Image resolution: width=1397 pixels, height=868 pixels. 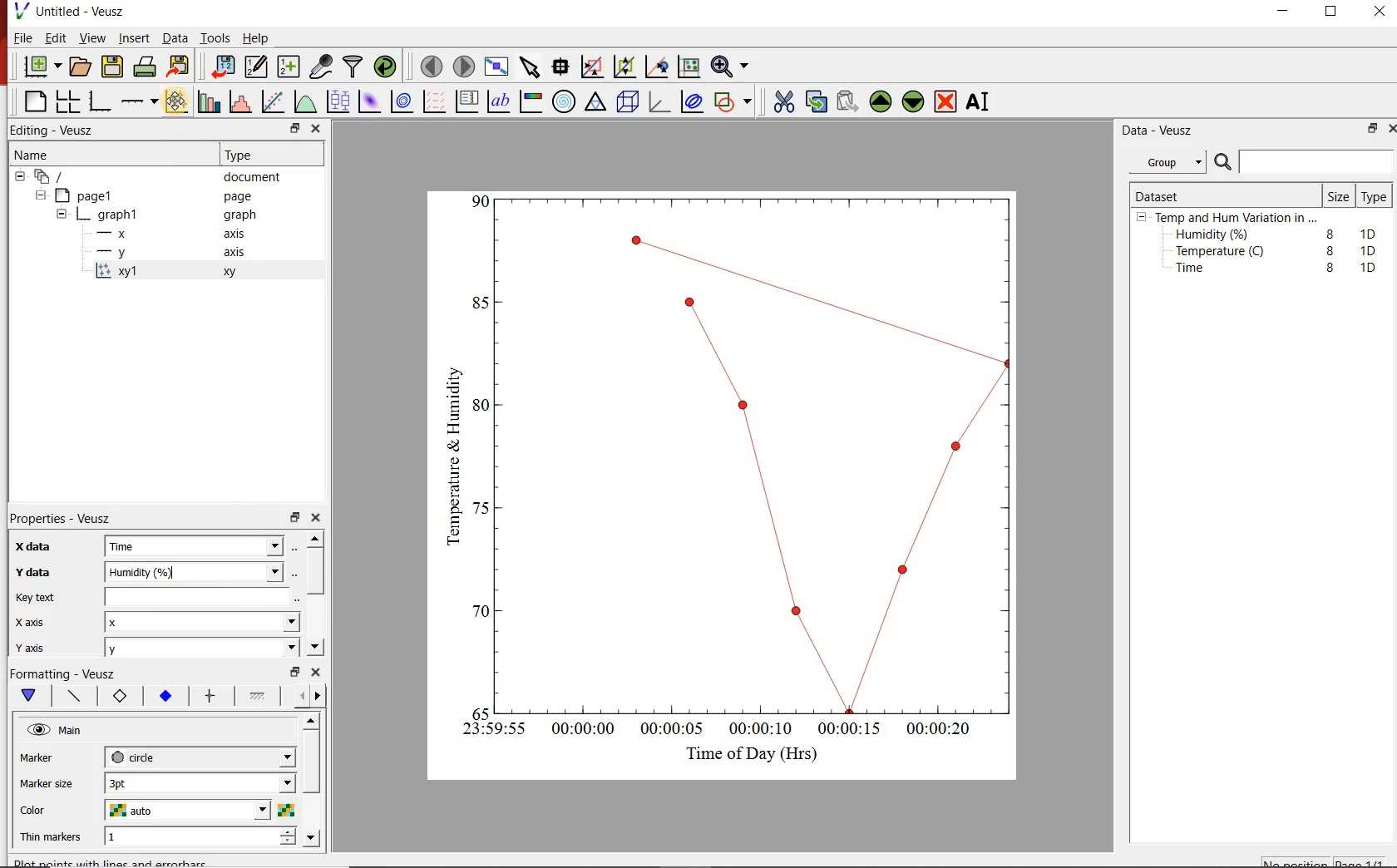 What do you see at coordinates (321, 518) in the screenshot?
I see `close` at bounding box center [321, 518].